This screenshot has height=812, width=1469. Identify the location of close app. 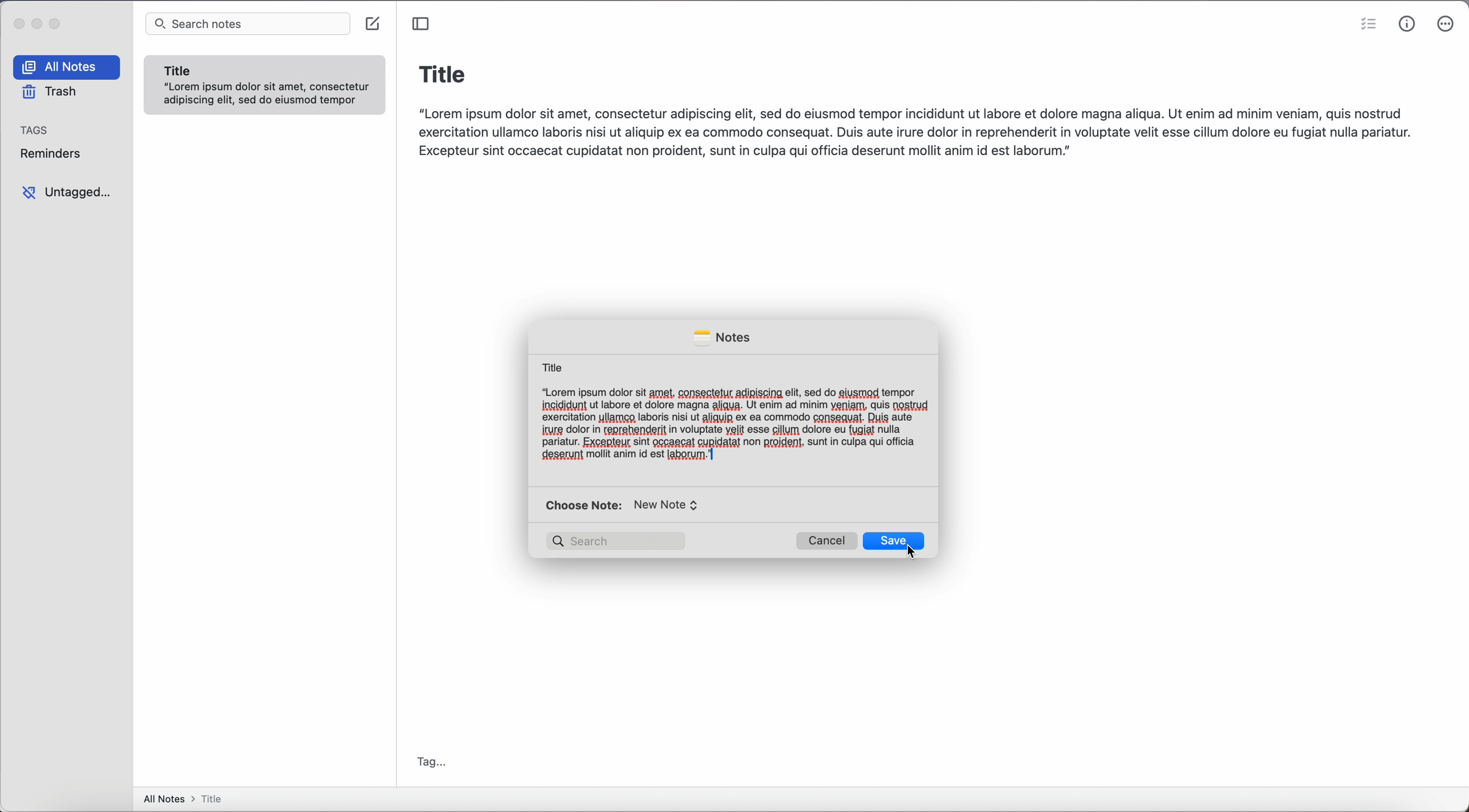
(17, 22).